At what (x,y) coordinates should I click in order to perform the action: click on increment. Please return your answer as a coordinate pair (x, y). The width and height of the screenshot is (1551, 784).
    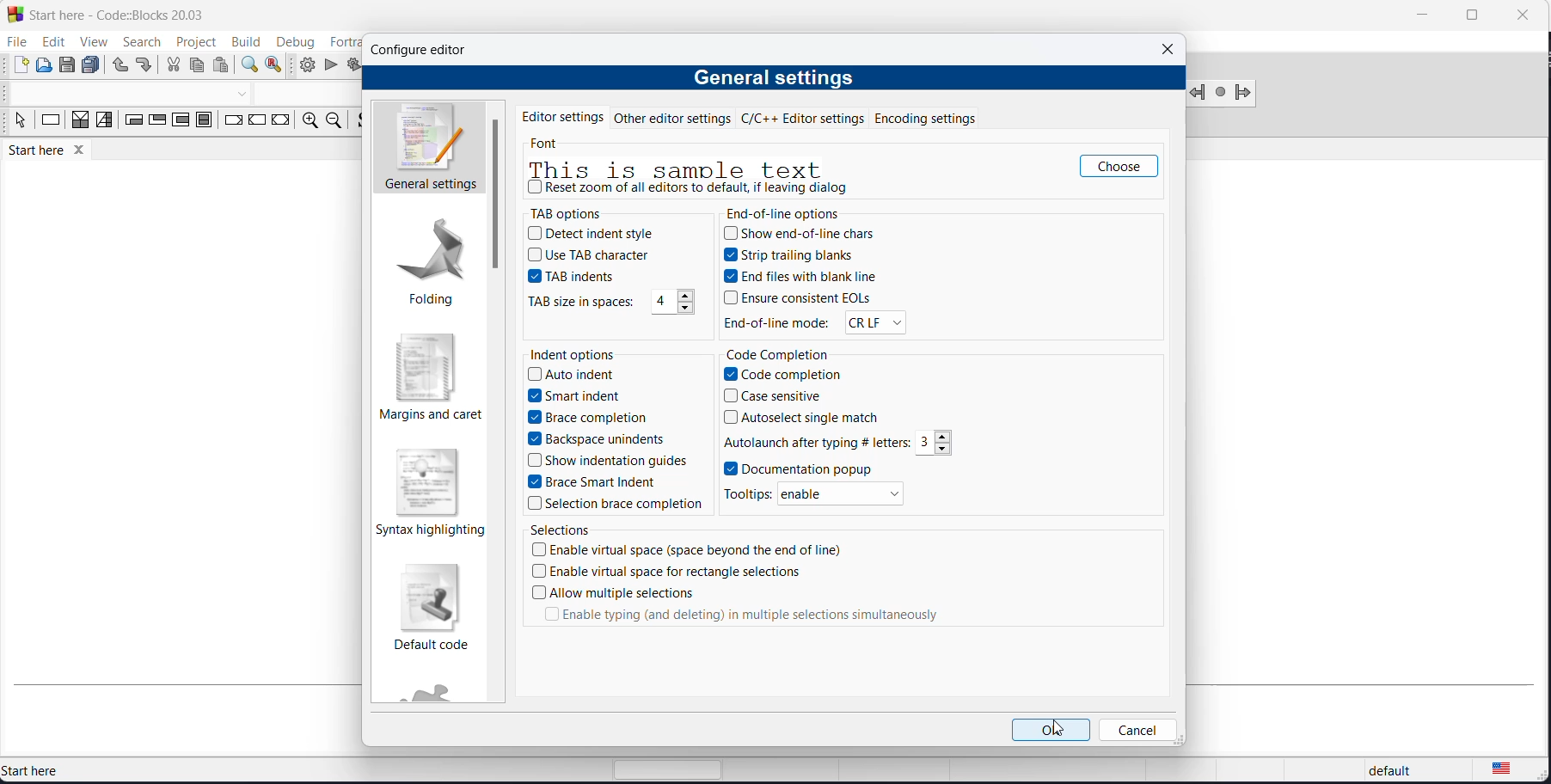
    Looking at the image, I should click on (684, 297).